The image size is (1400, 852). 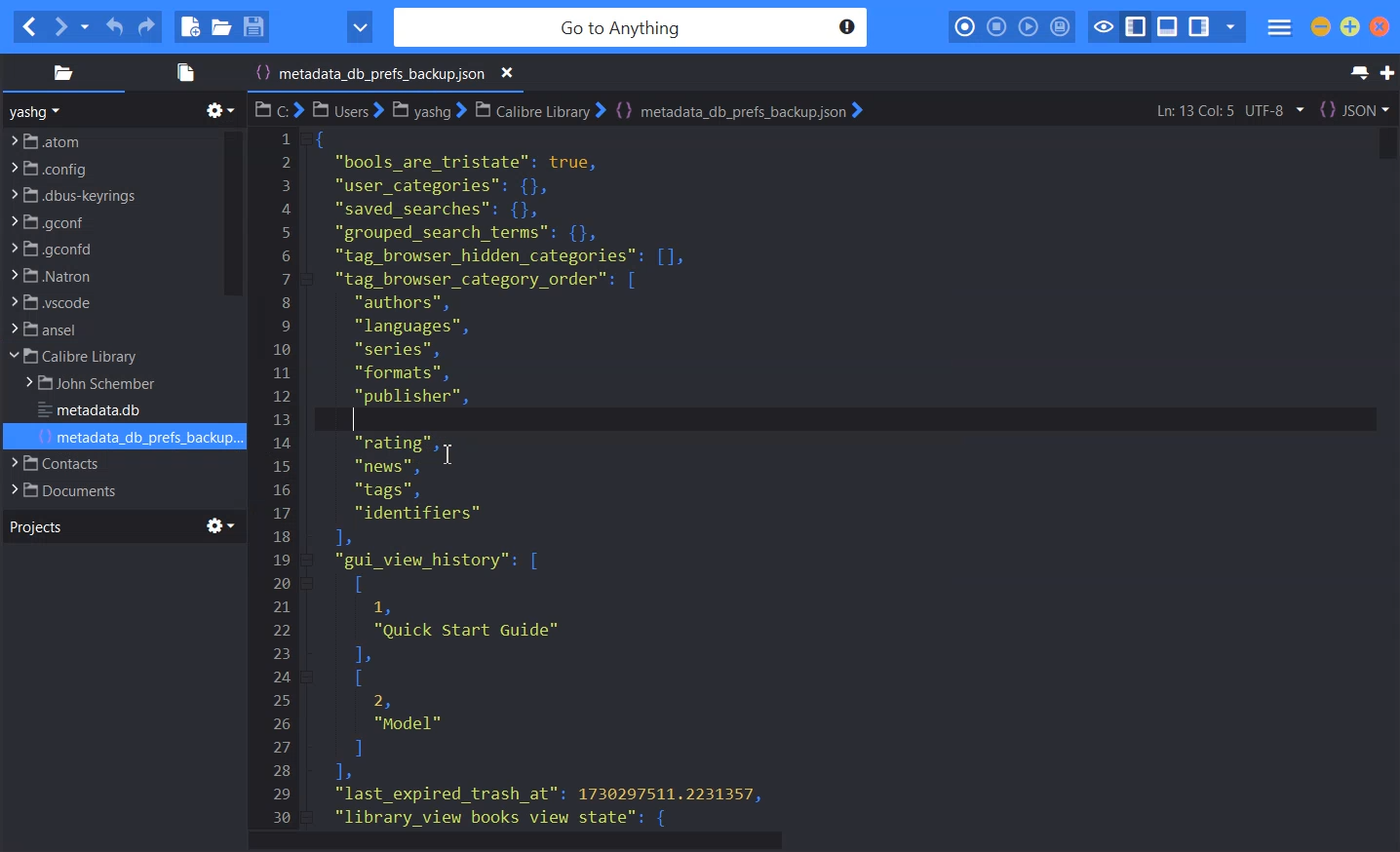 I want to click on Places, so click(x=62, y=72).